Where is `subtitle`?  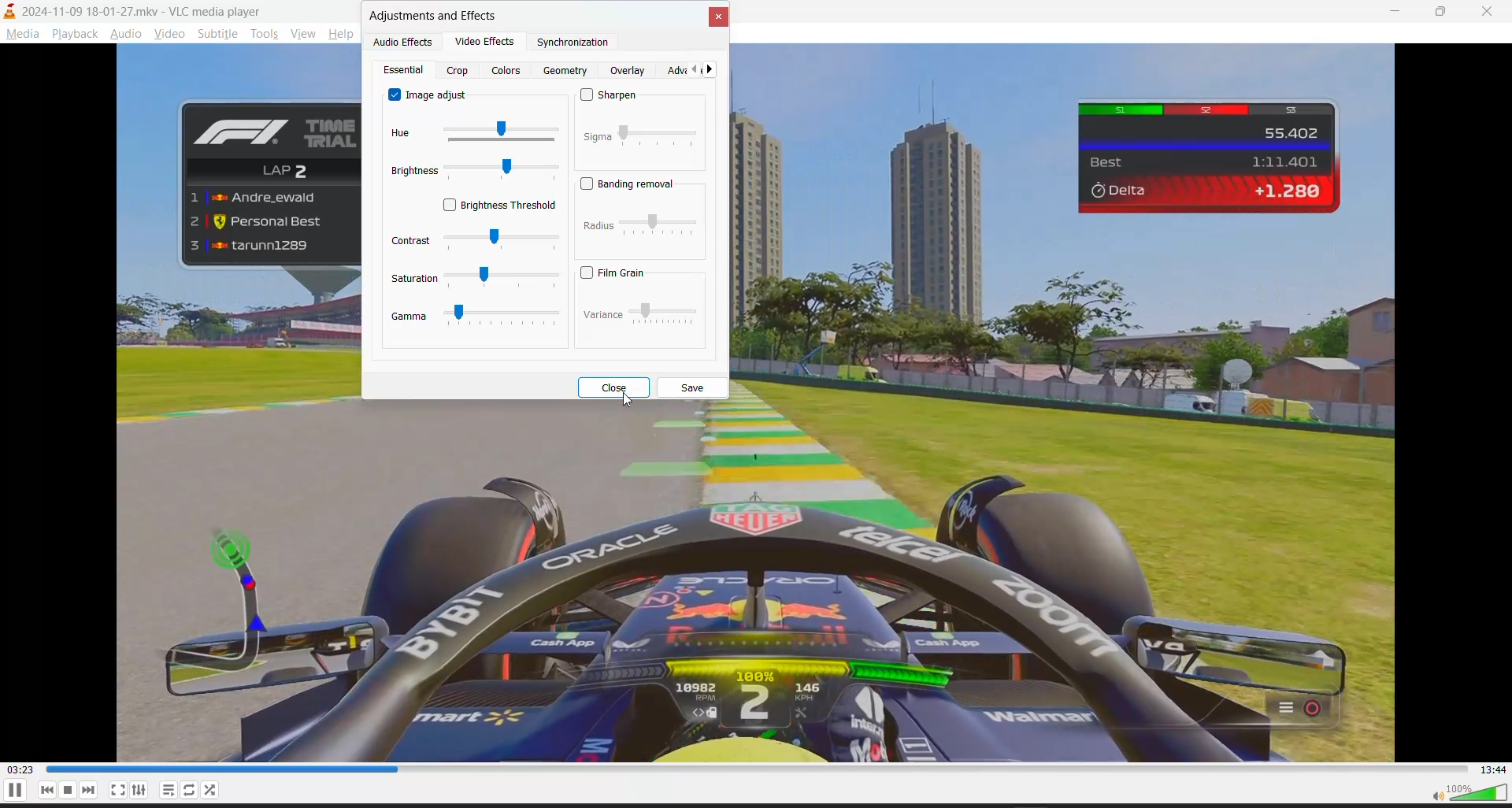 subtitle is located at coordinates (220, 32).